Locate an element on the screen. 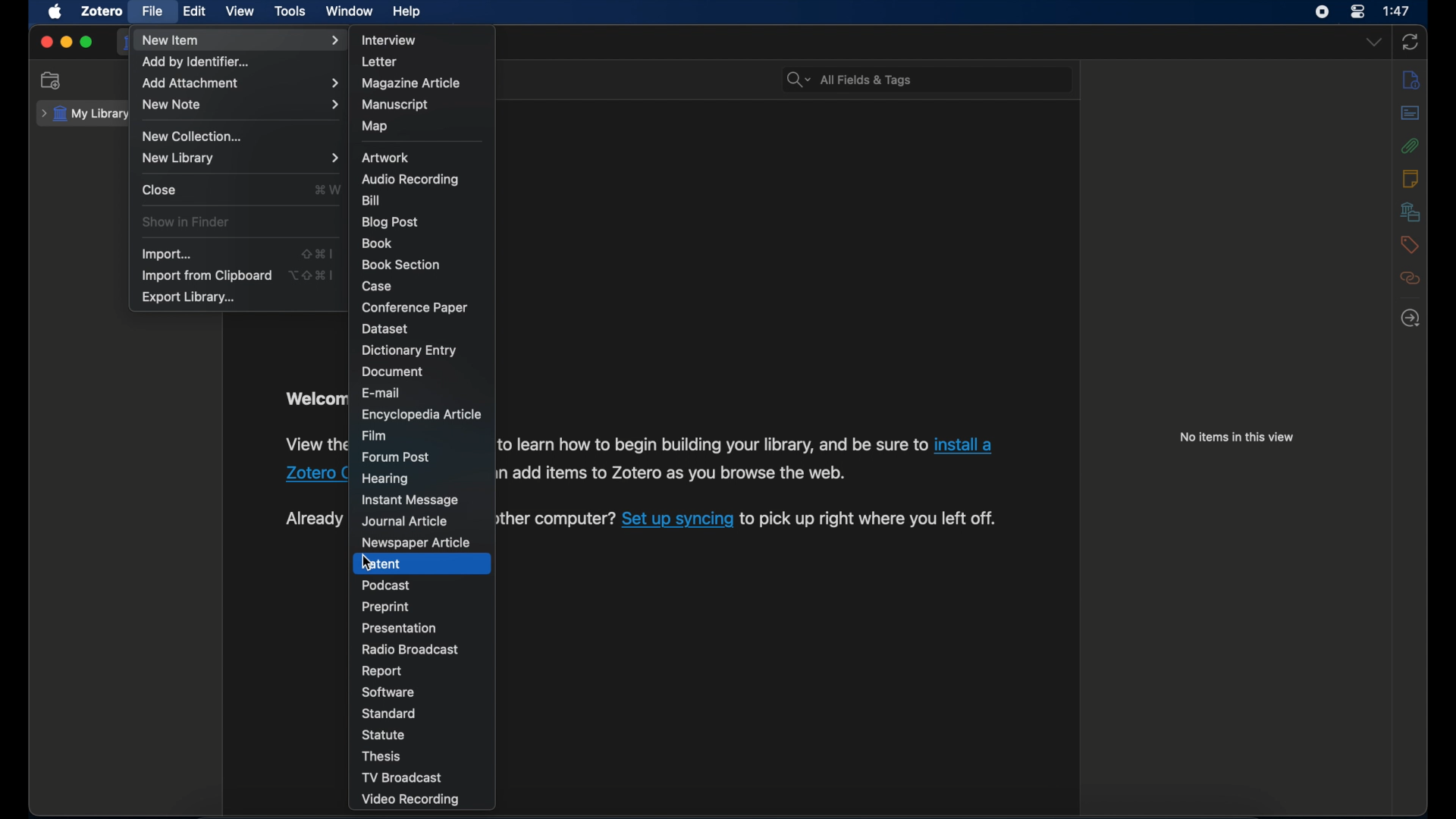 This screenshot has height=819, width=1456. maximize is located at coordinates (87, 42).